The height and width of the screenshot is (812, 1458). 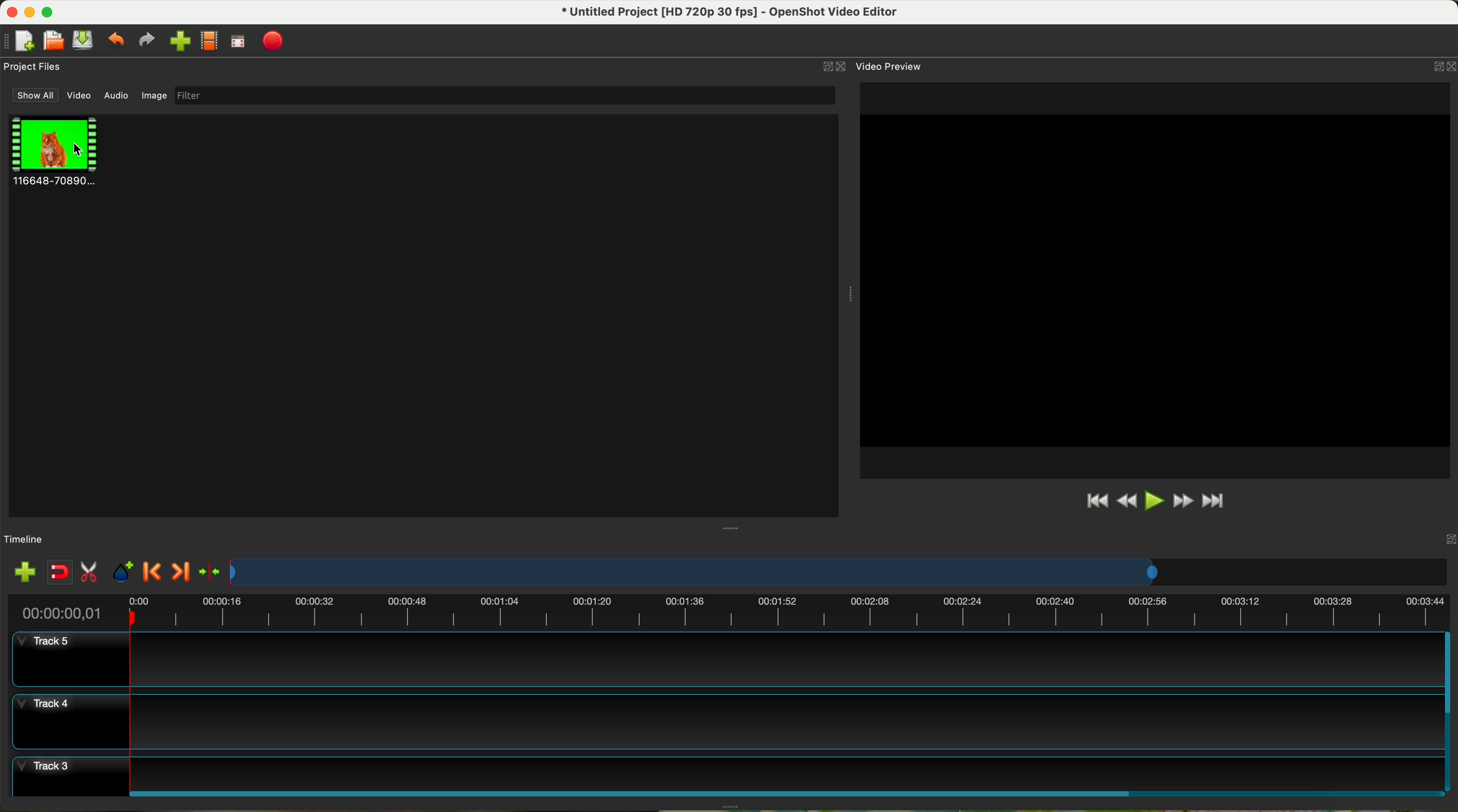 I want to click on redo, so click(x=146, y=40).